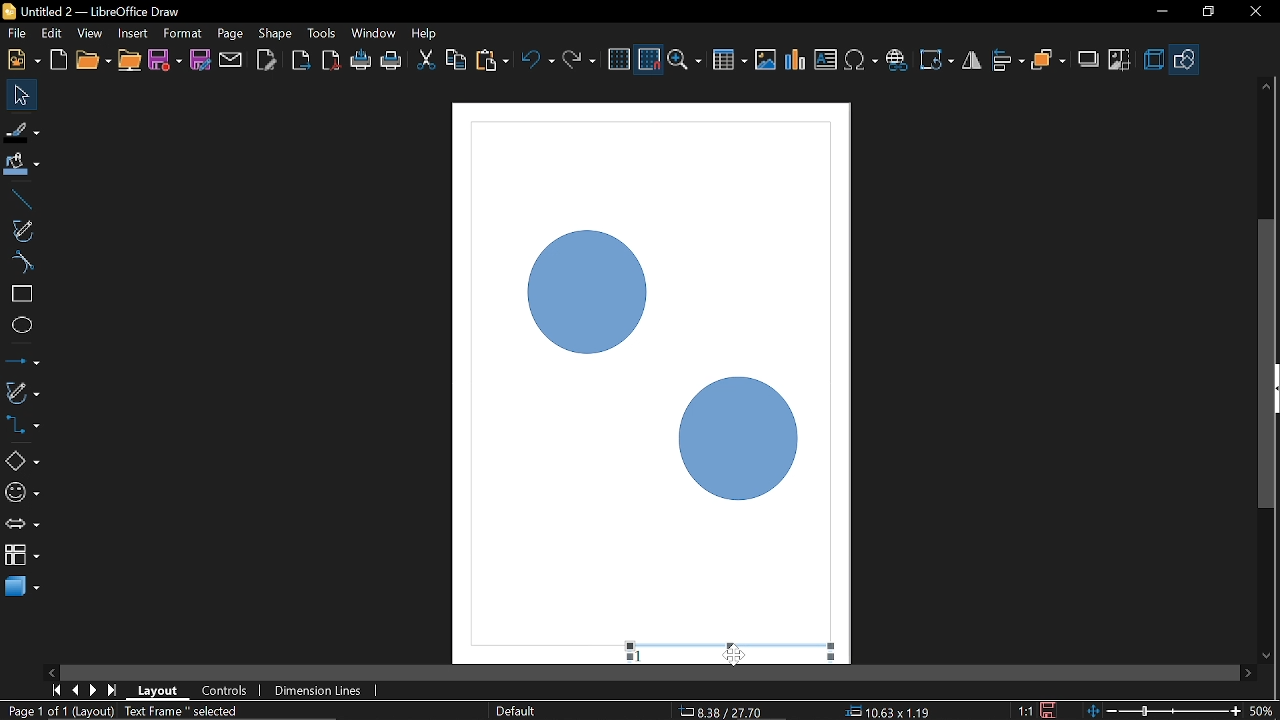 This screenshot has width=1280, height=720. Describe the element at coordinates (1254, 12) in the screenshot. I see `CLose` at that location.